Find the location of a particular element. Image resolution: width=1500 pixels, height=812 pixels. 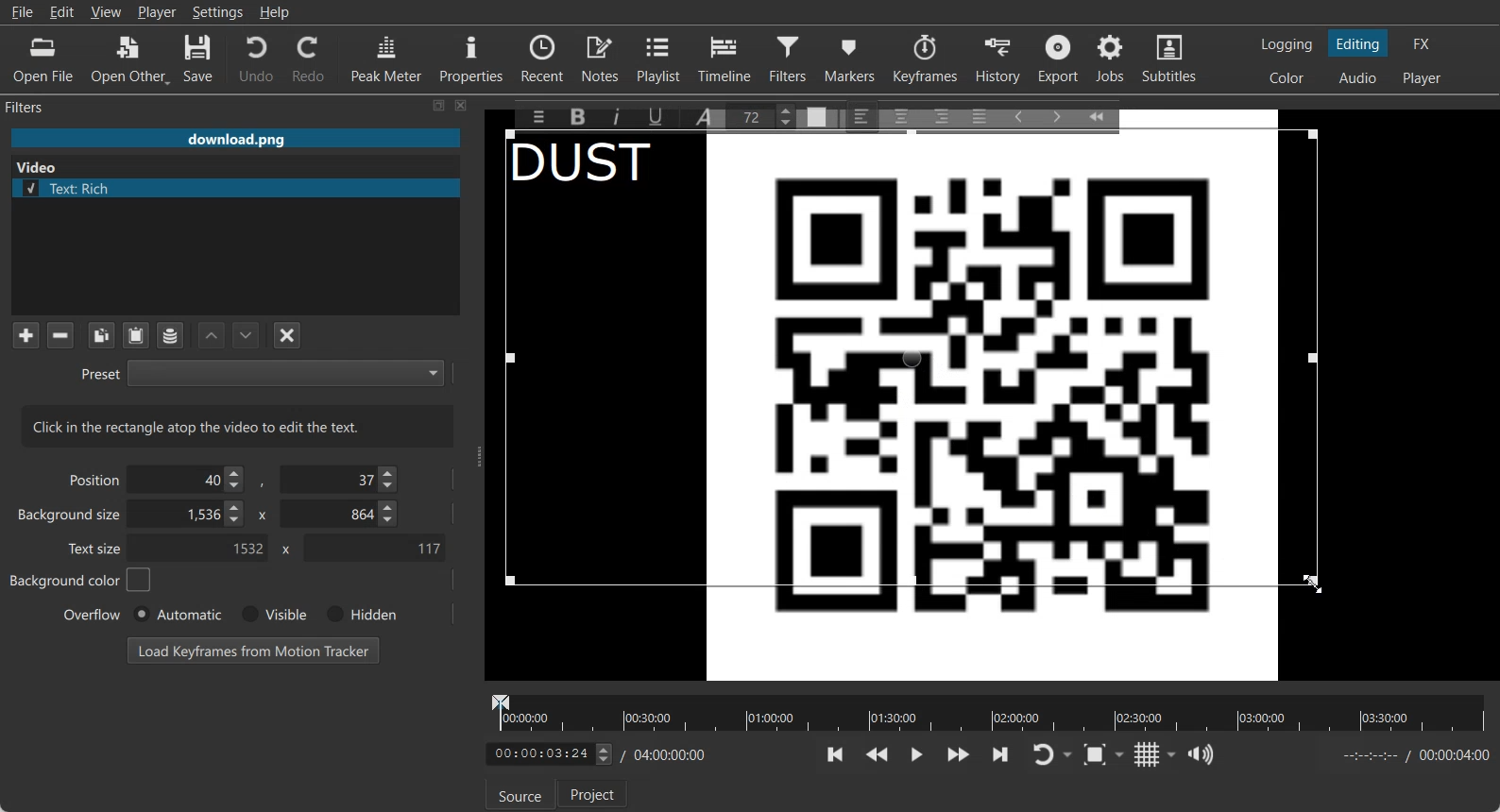

Text Frame is located at coordinates (918, 398).